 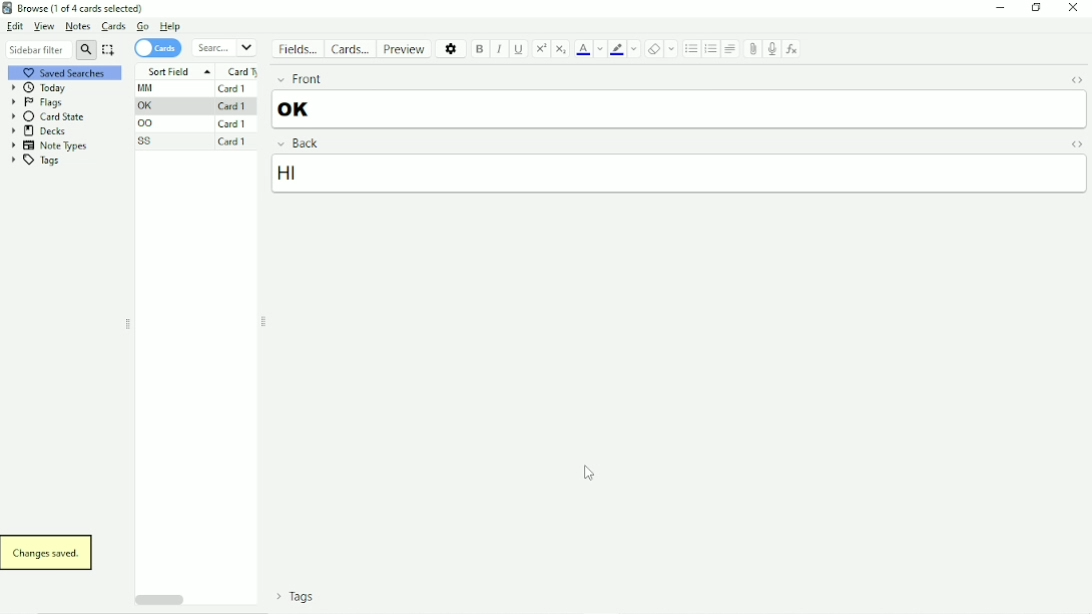 What do you see at coordinates (143, 26) in the screenshot?
I see `Go` at bounding box center [143, 26].